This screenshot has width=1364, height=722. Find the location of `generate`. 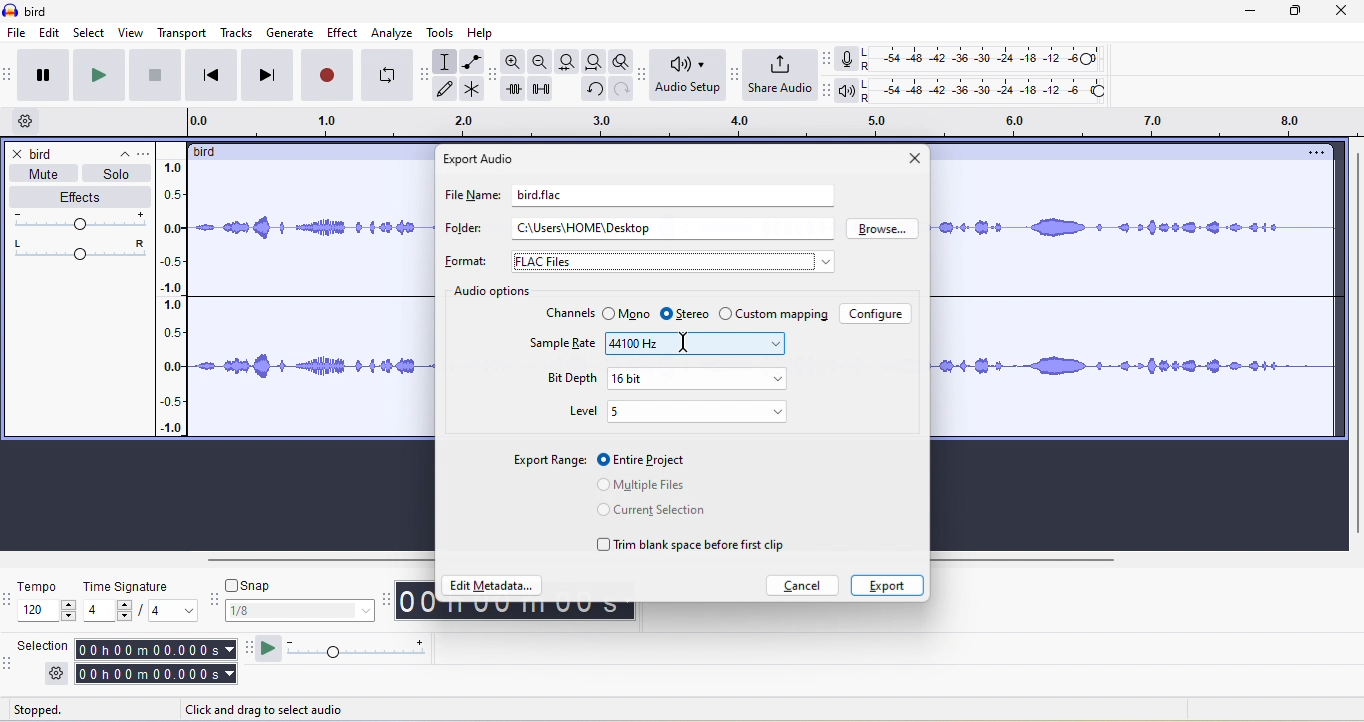

generate is located at coordinates (291, 33).